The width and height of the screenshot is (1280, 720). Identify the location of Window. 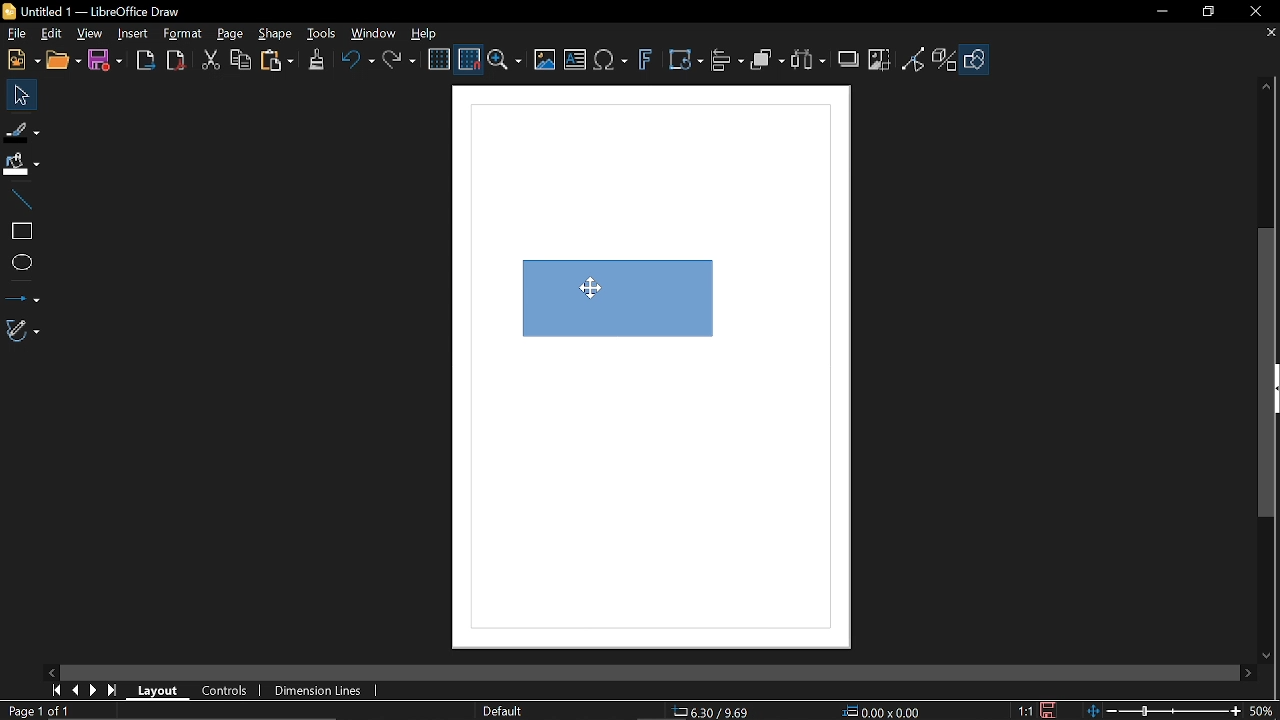
(370, 35).